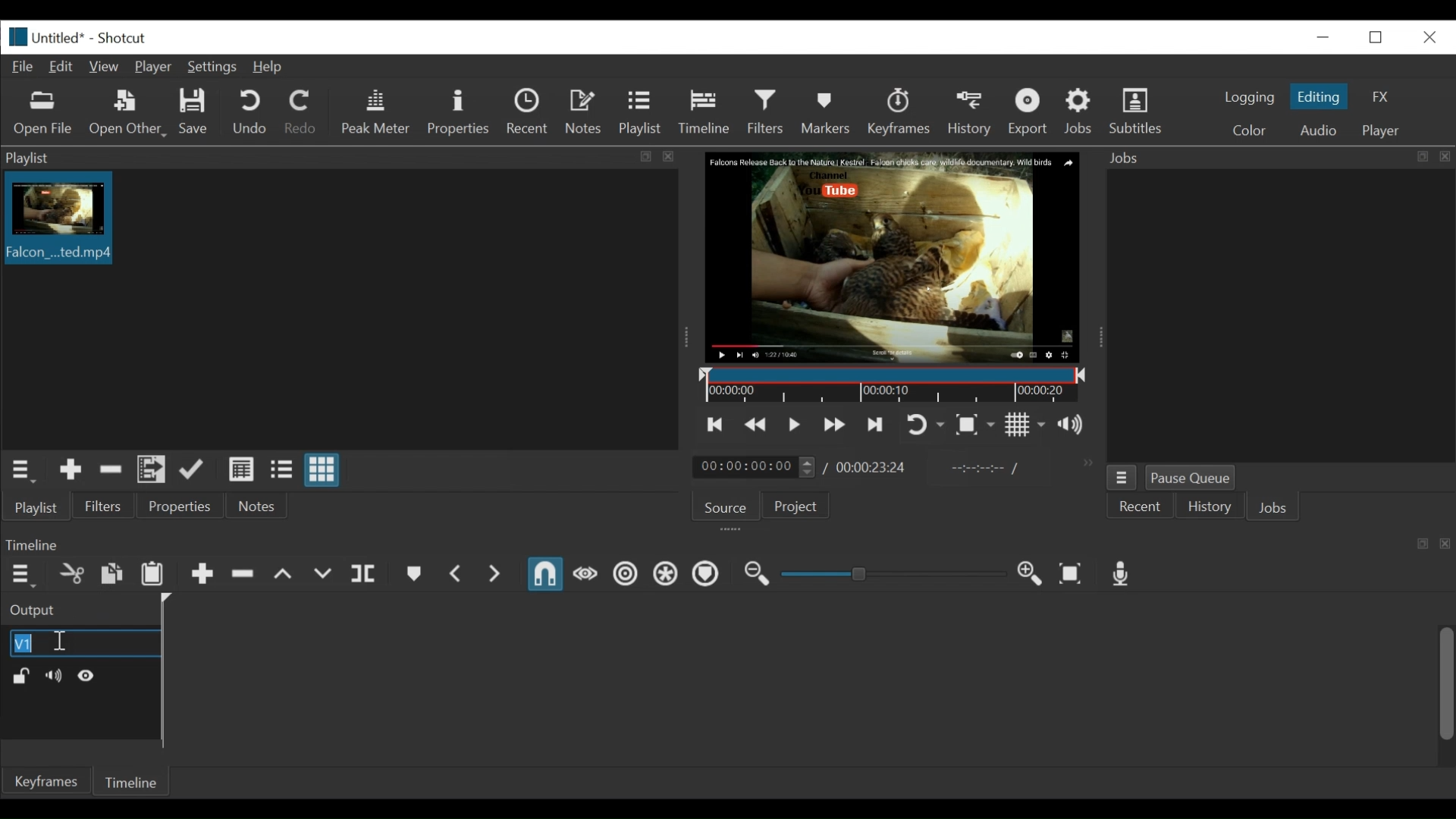 This screenshot has height=819, width=1456. What do you see at coordinates (125, 38) in the screenshot?
I see `Shotxcut` at bounding box center [125, 38].